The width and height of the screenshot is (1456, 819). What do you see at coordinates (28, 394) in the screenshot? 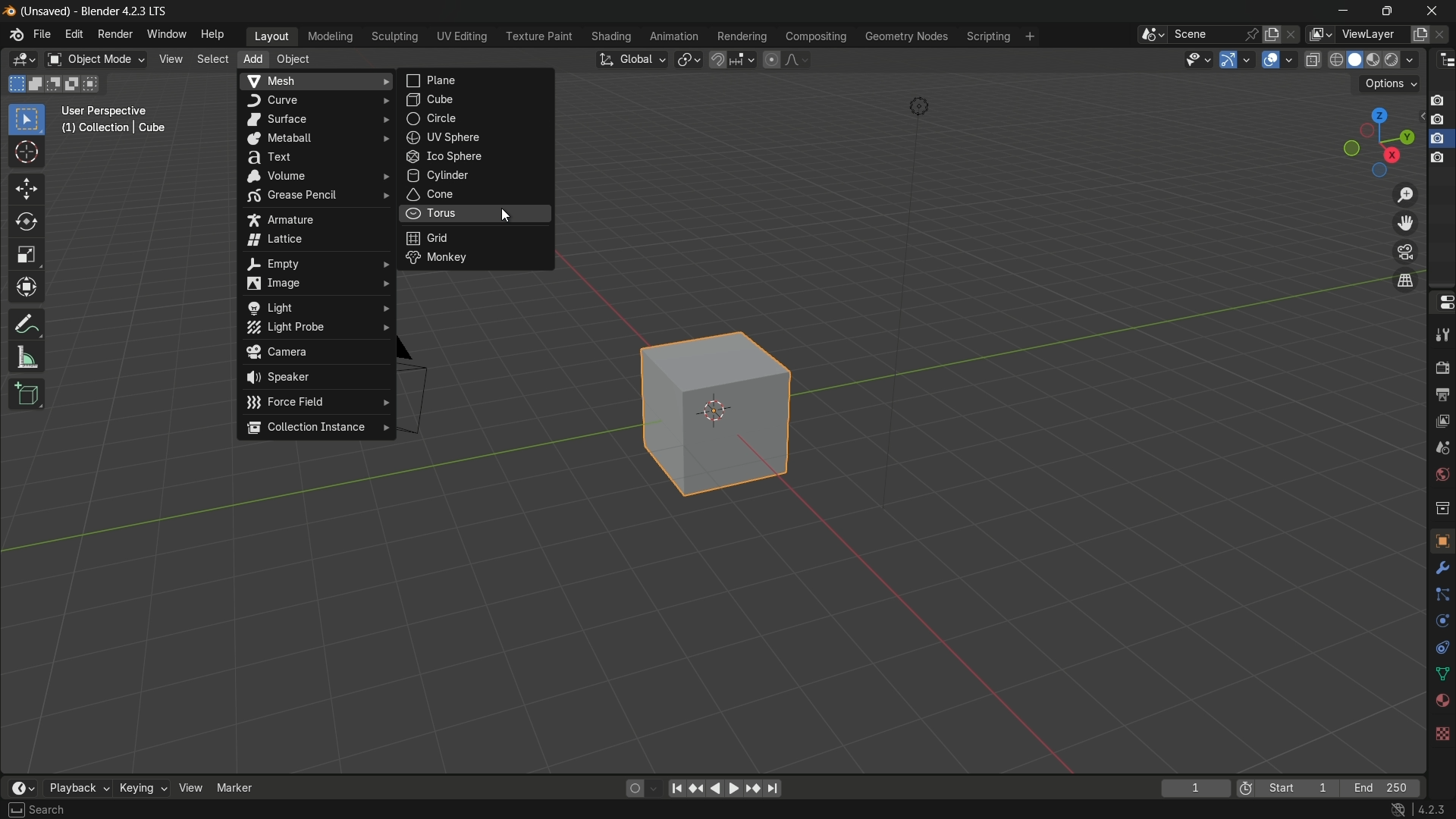
I see `add cube` at bounding box center [28, 394].